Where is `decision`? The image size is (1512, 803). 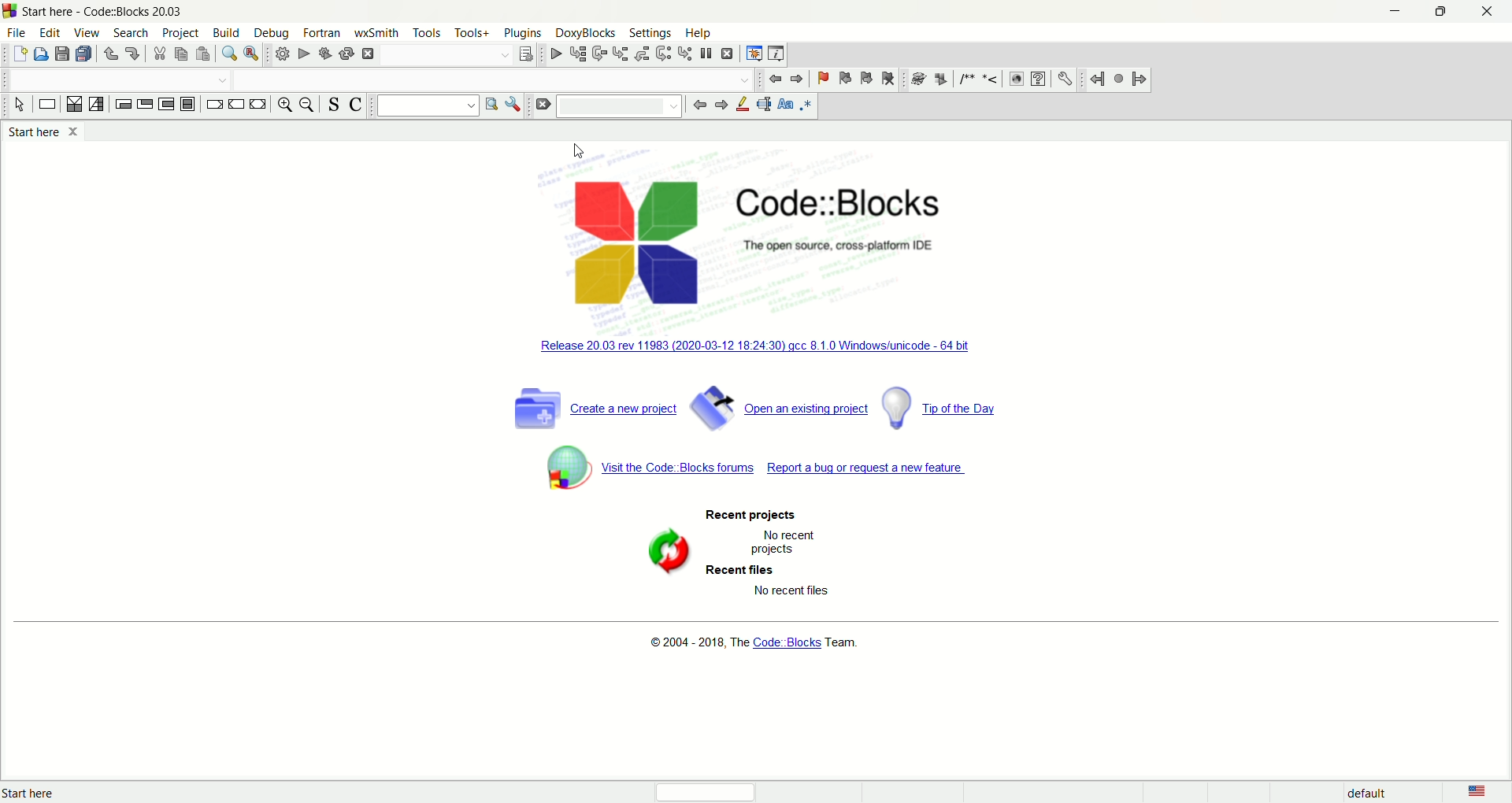 decision is located at coordinates (74, 104).